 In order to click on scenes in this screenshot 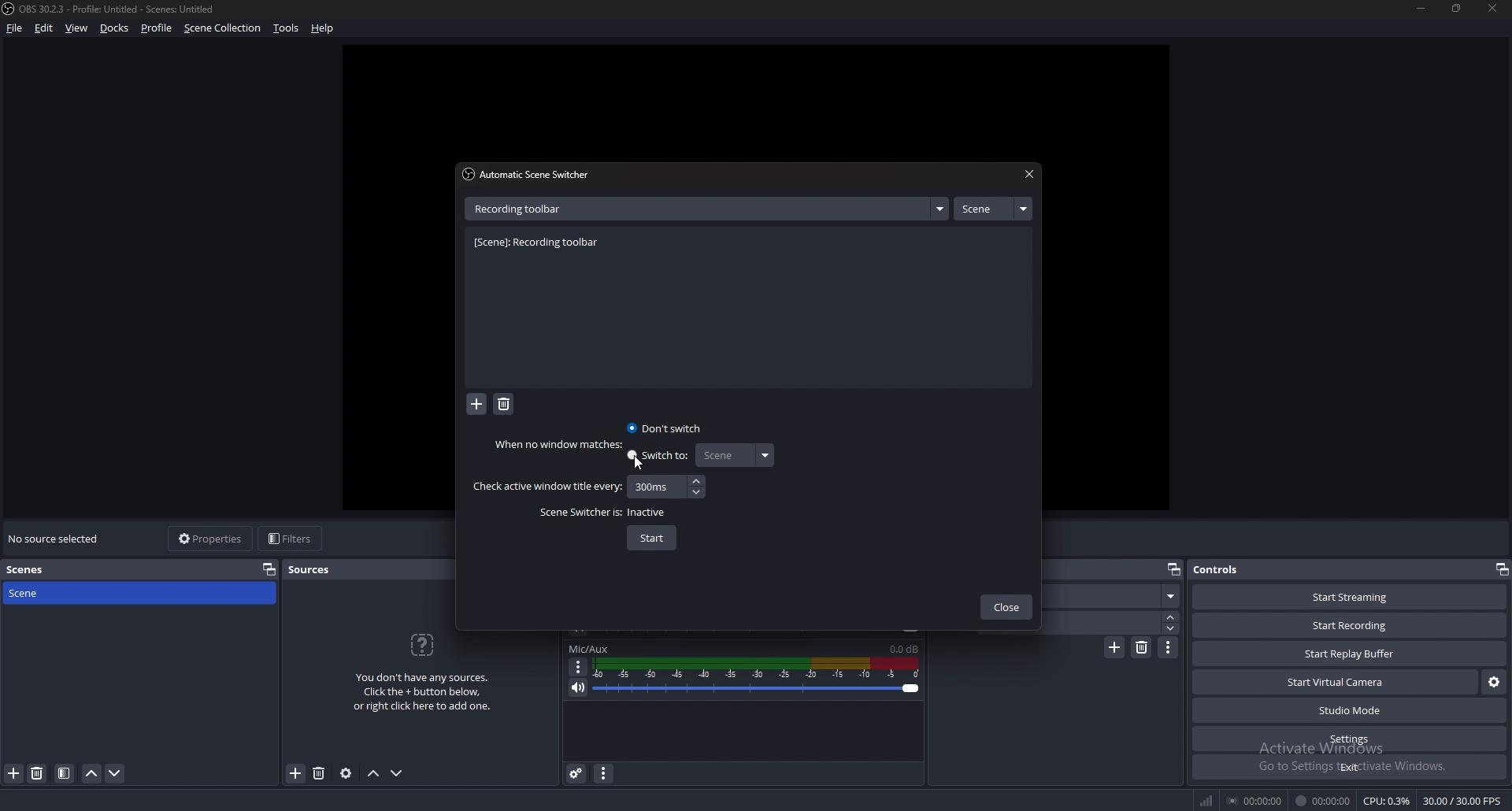, I will do `click(39, 570)`.